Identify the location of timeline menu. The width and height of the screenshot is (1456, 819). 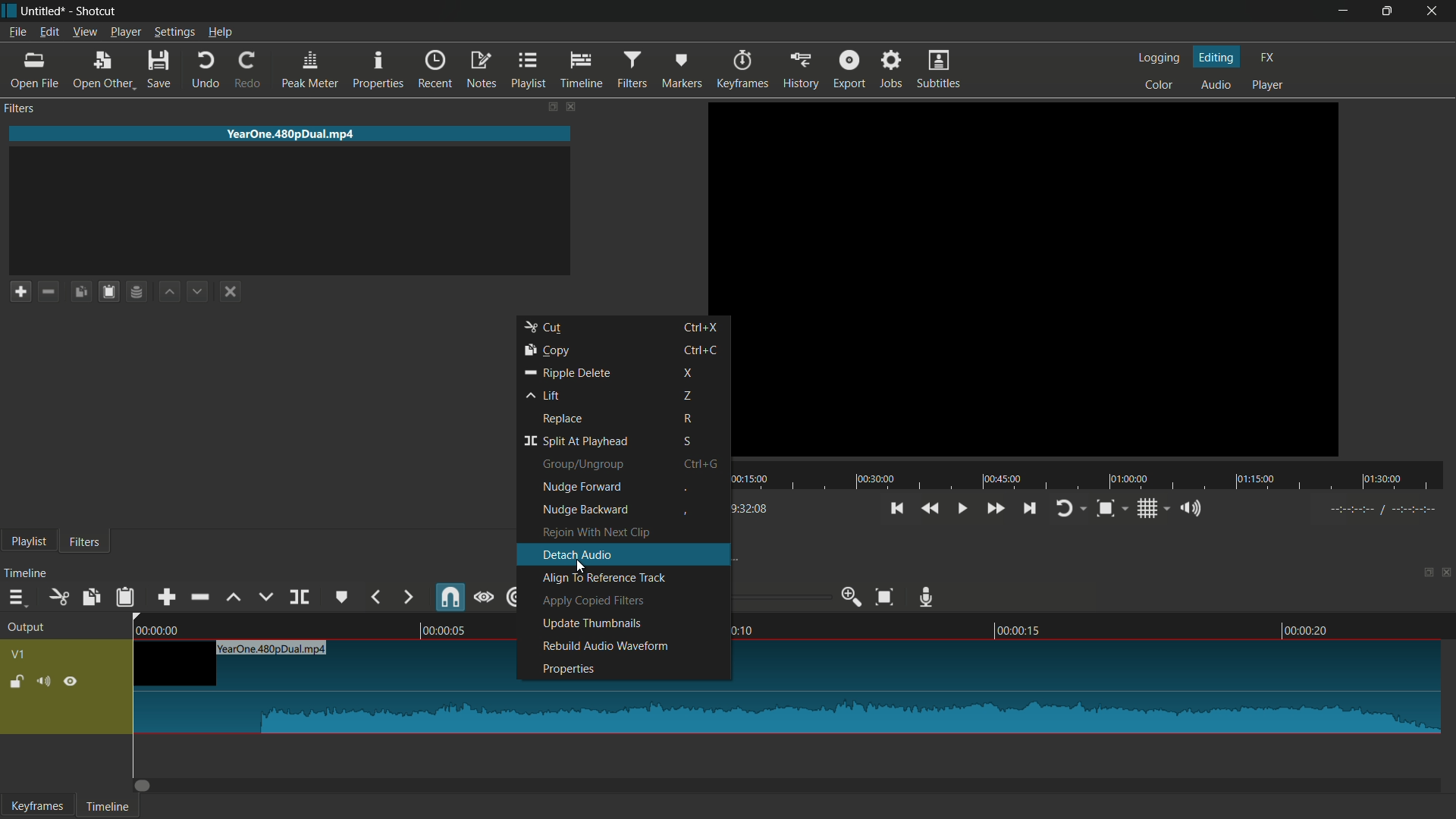
(15, 598).